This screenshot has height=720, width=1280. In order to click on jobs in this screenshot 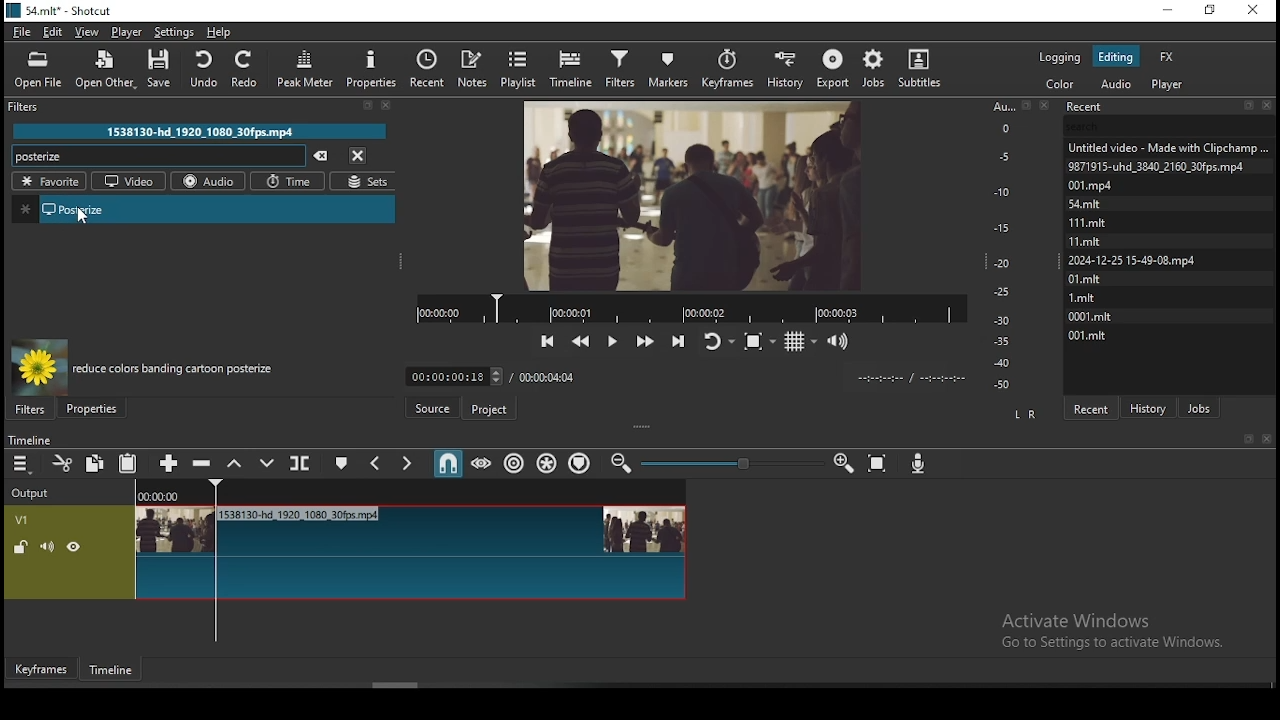, I will do `click(873, 67)`.